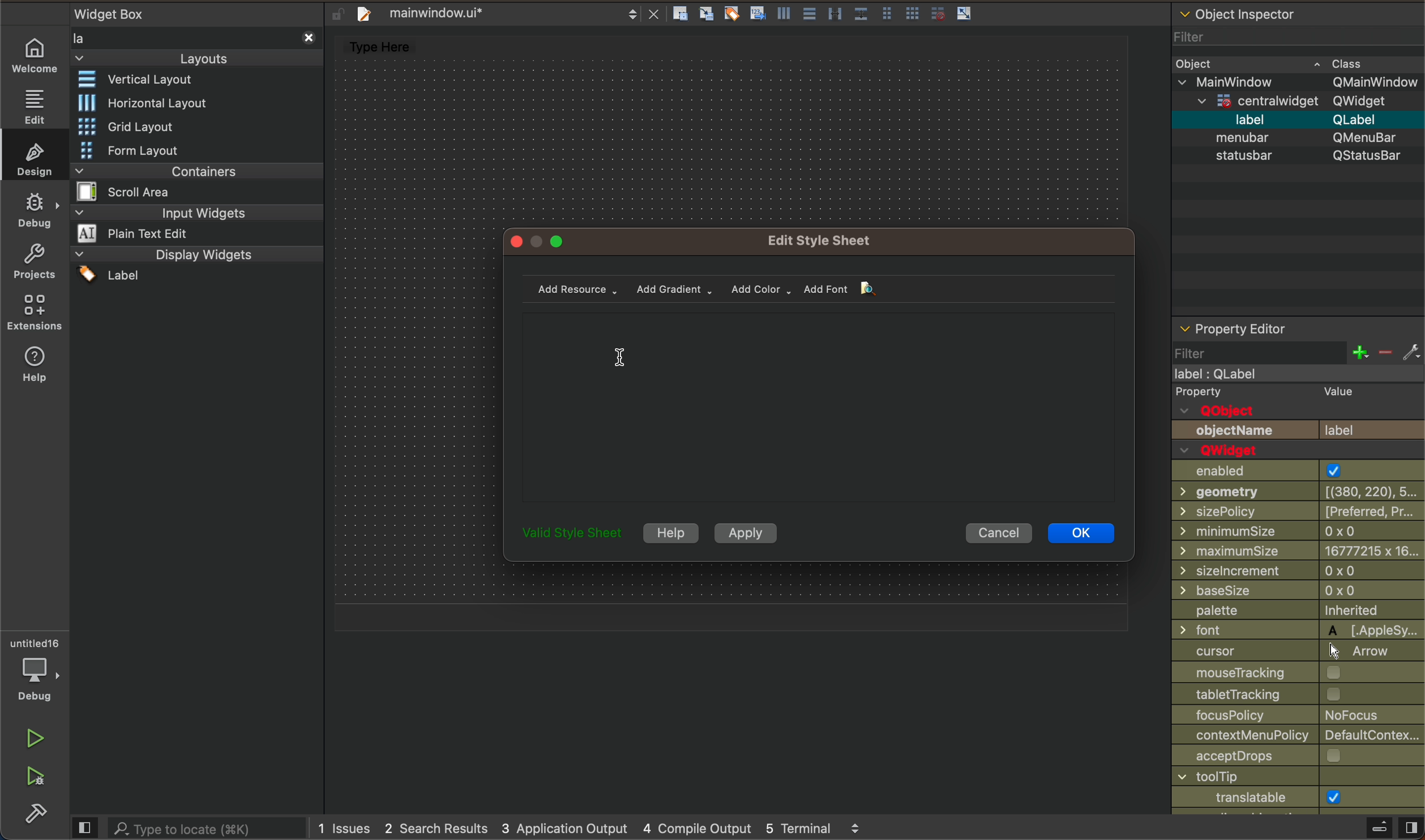 Image resolution: width=1425 pixels, height=840 pixels. Describe the element at coordinates (1297, 430) in the screenshot. I see `object name` at that location.